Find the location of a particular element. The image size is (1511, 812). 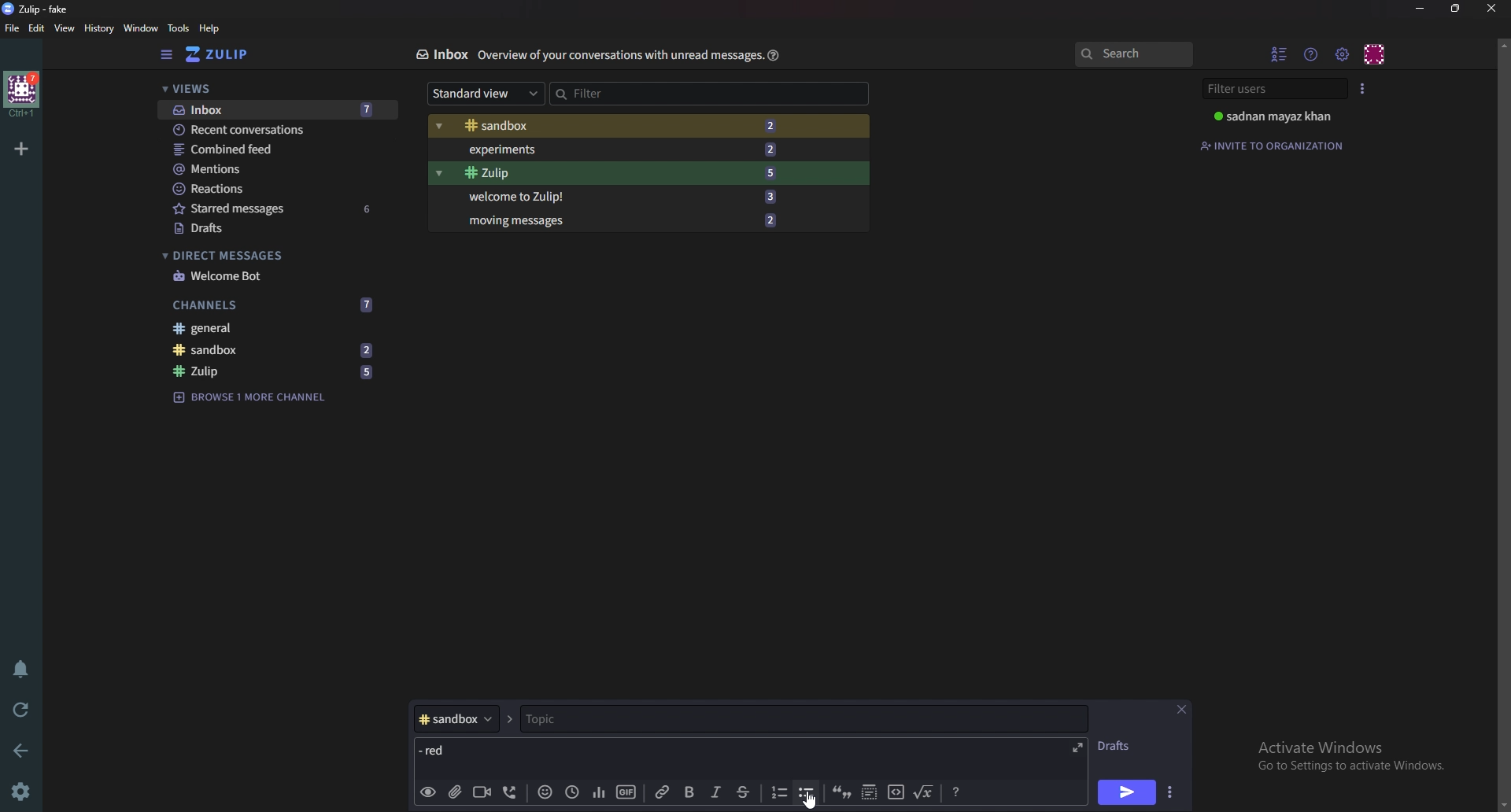

Add organization is located at coordinates (20, 148).